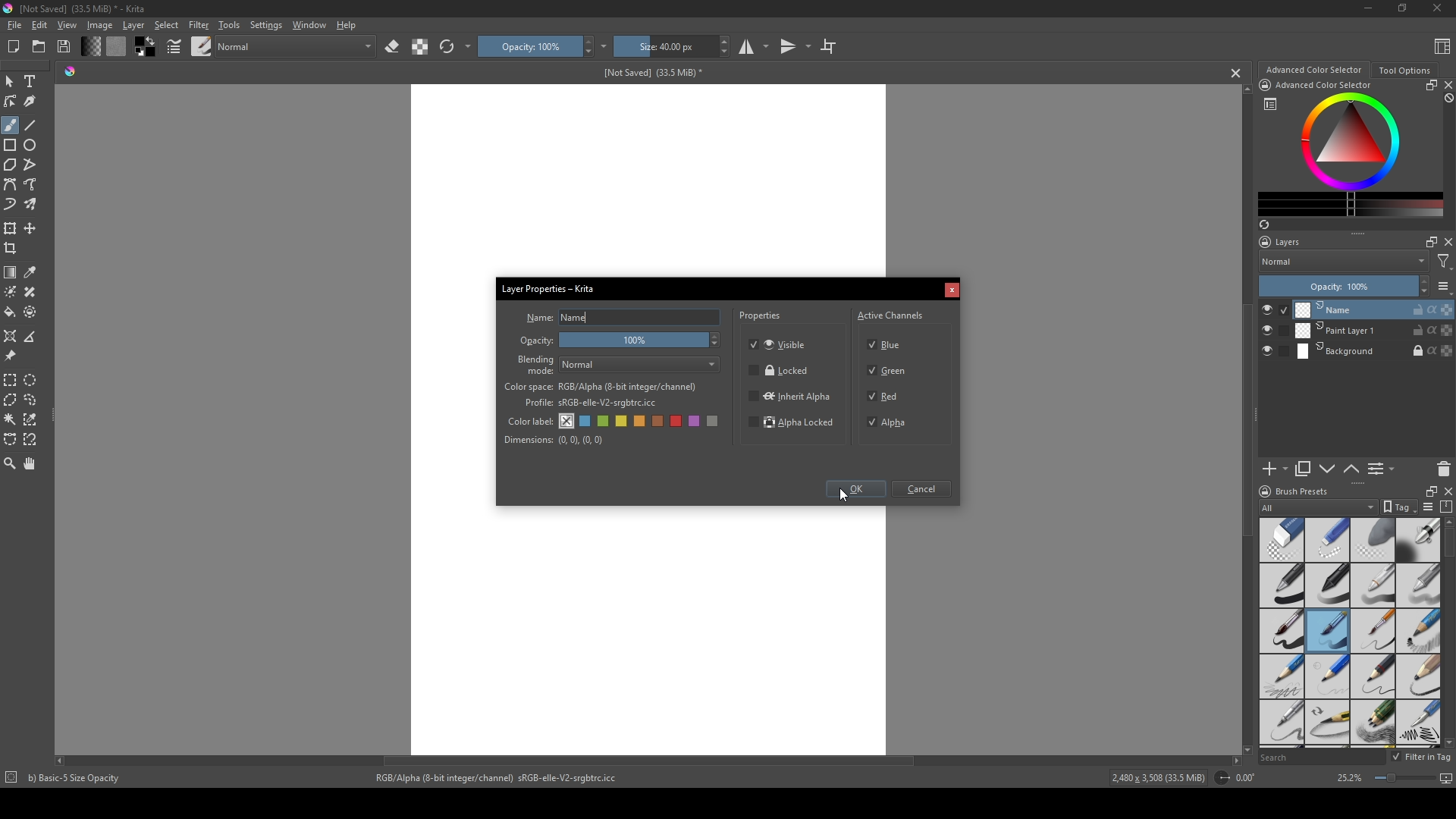 This screenshot has width=1456, height=819. What do you see at coordinates (529, 419) in the screenshot?
I see `Color label` at bounding box center [529, 419].